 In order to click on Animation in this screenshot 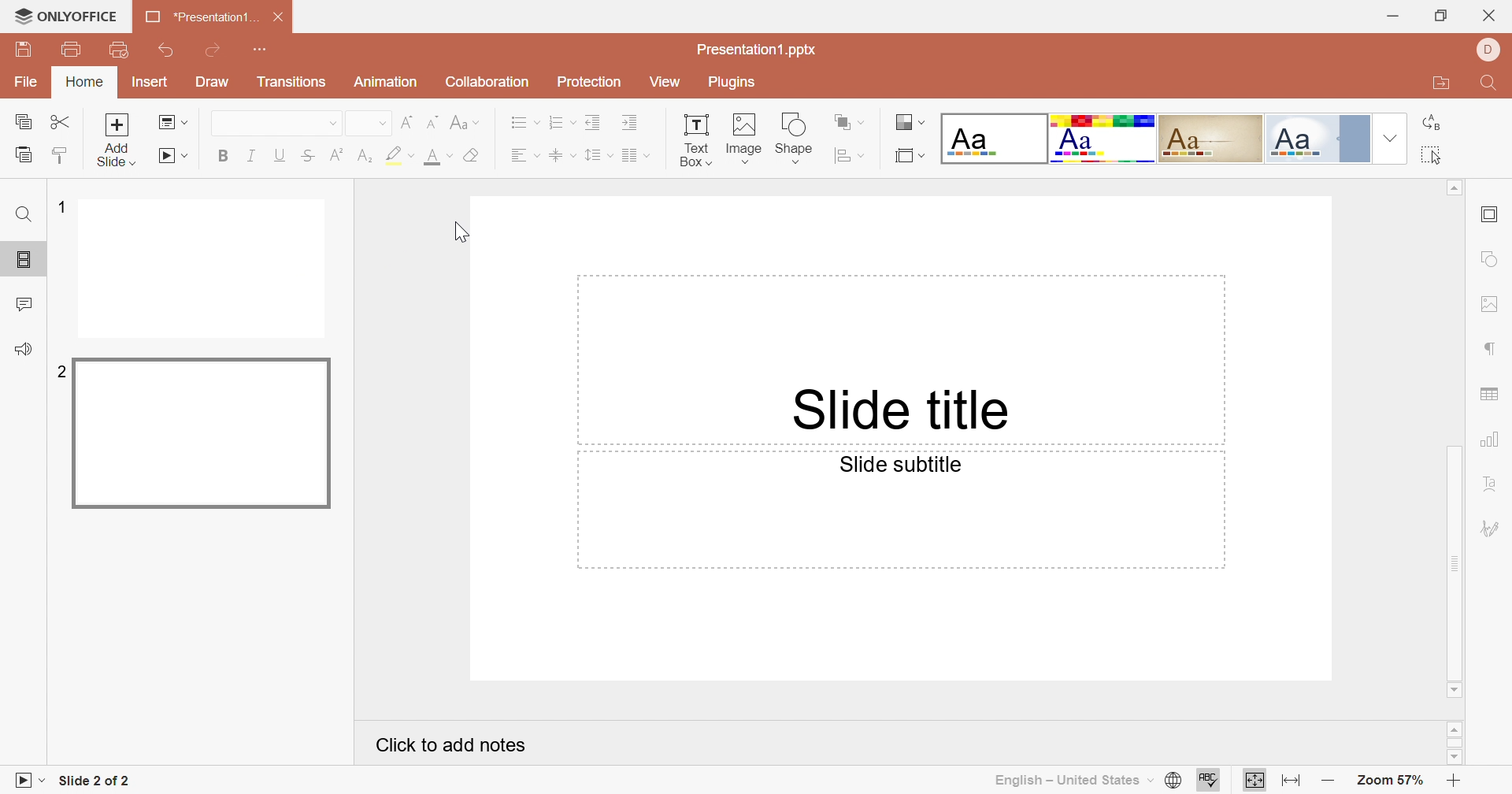, I will do `click(388, 82)`.